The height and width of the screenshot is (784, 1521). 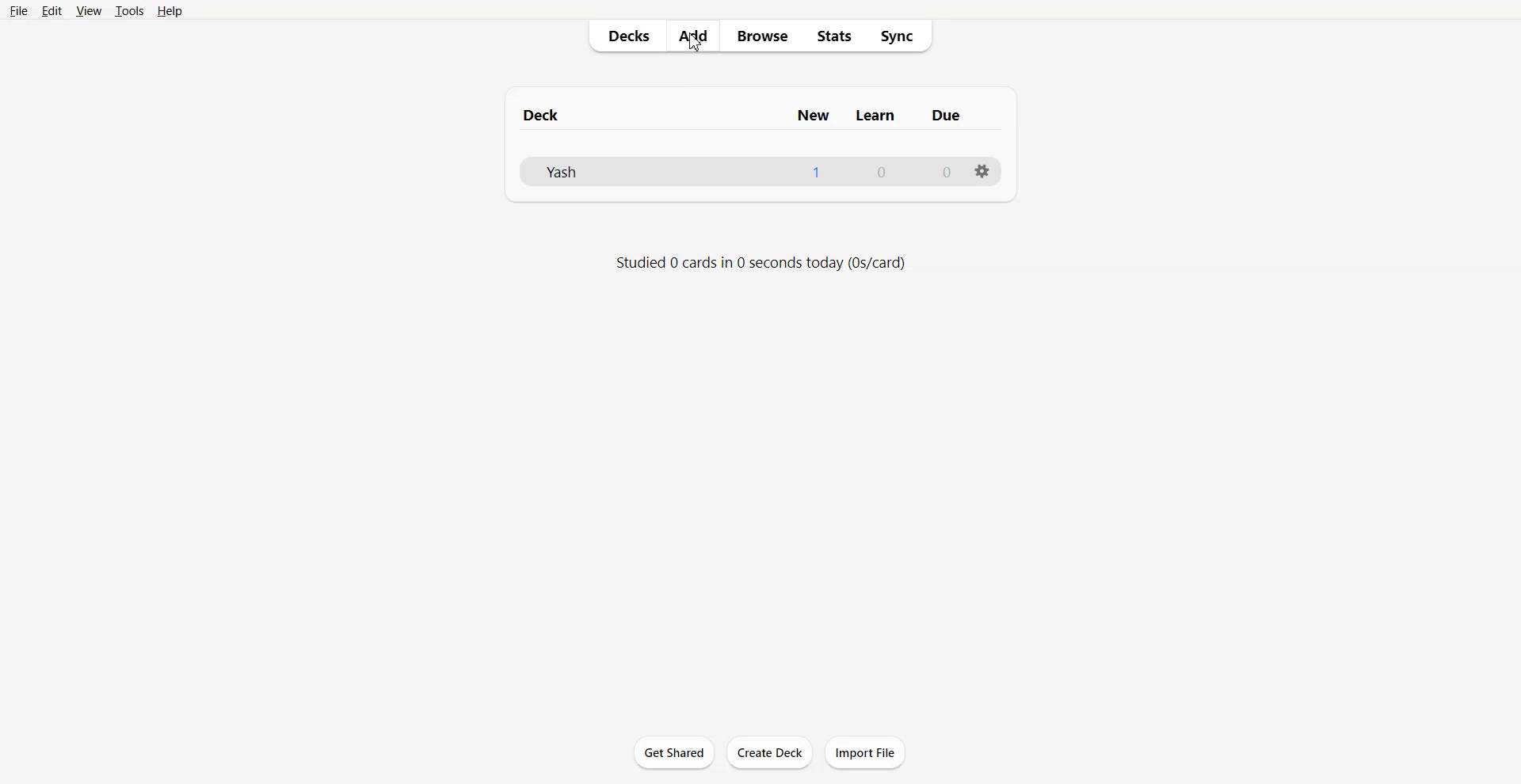 What do you see at coordinates (947, 116) in the screenshot?
I see `due` at bounding box center [947, 116].